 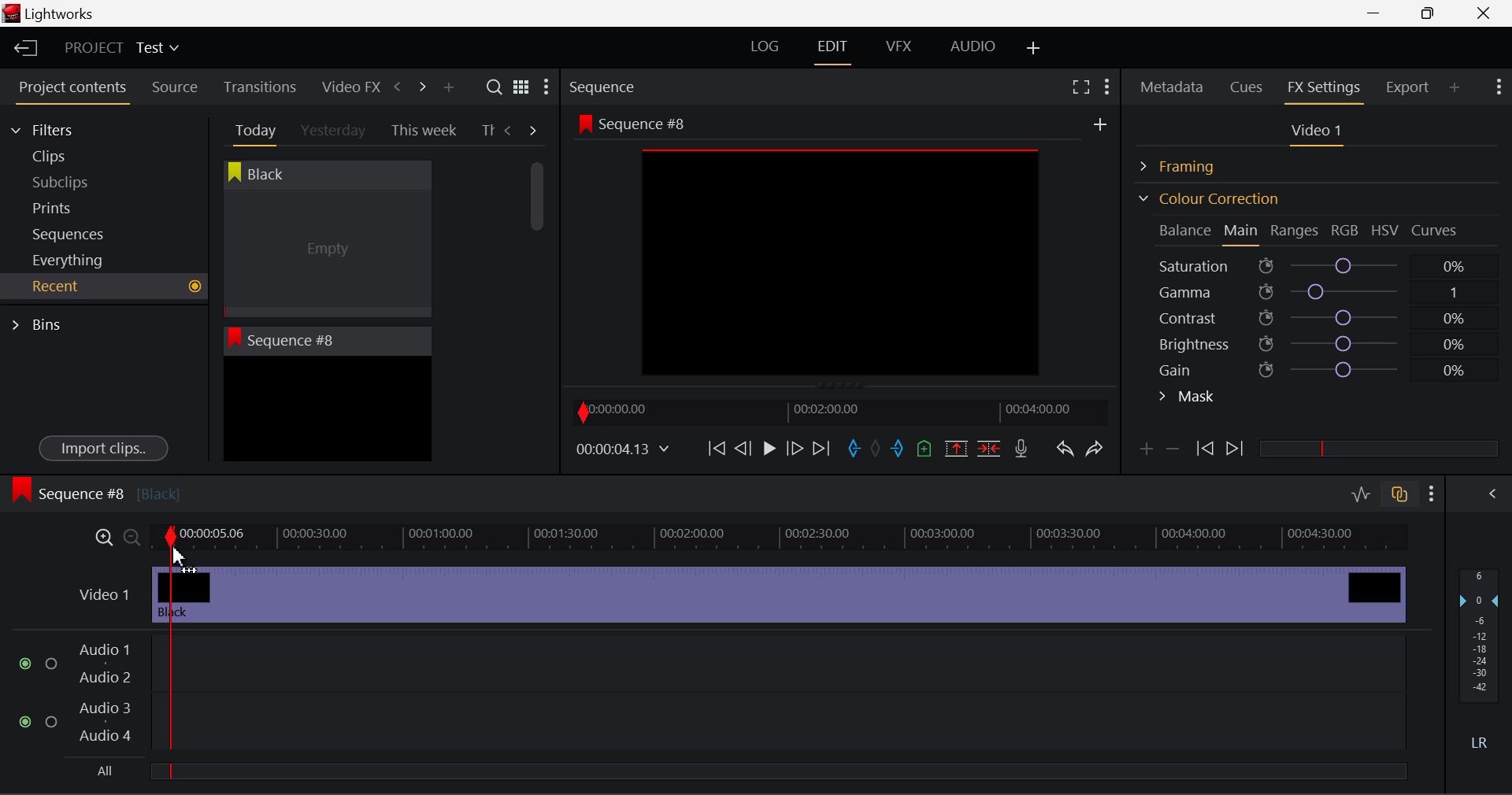 I want to click on Everything, so click(x=70, y=260).